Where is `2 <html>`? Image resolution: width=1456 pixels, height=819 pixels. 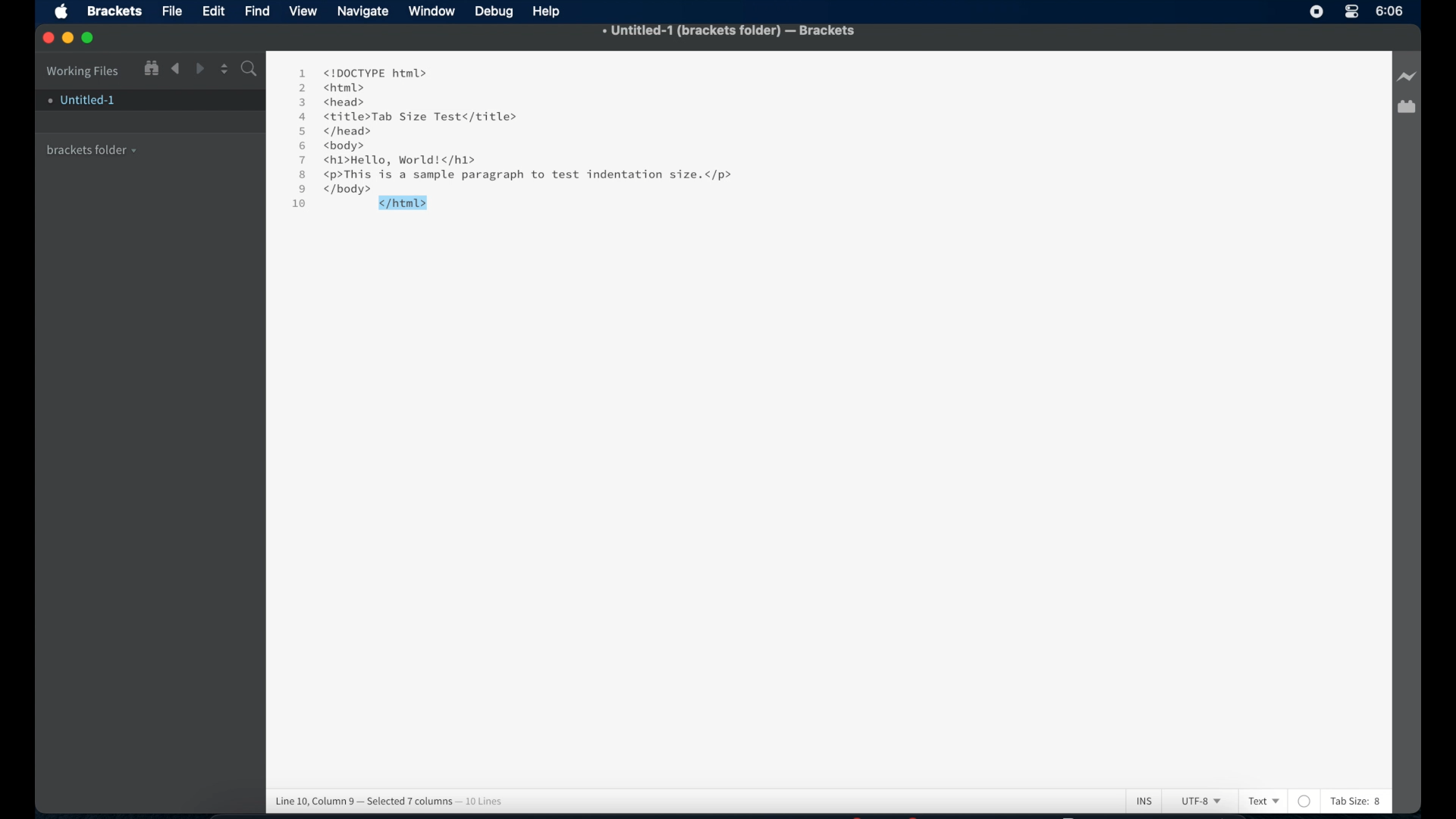
2 <html> is located at coordinates (331, 87).